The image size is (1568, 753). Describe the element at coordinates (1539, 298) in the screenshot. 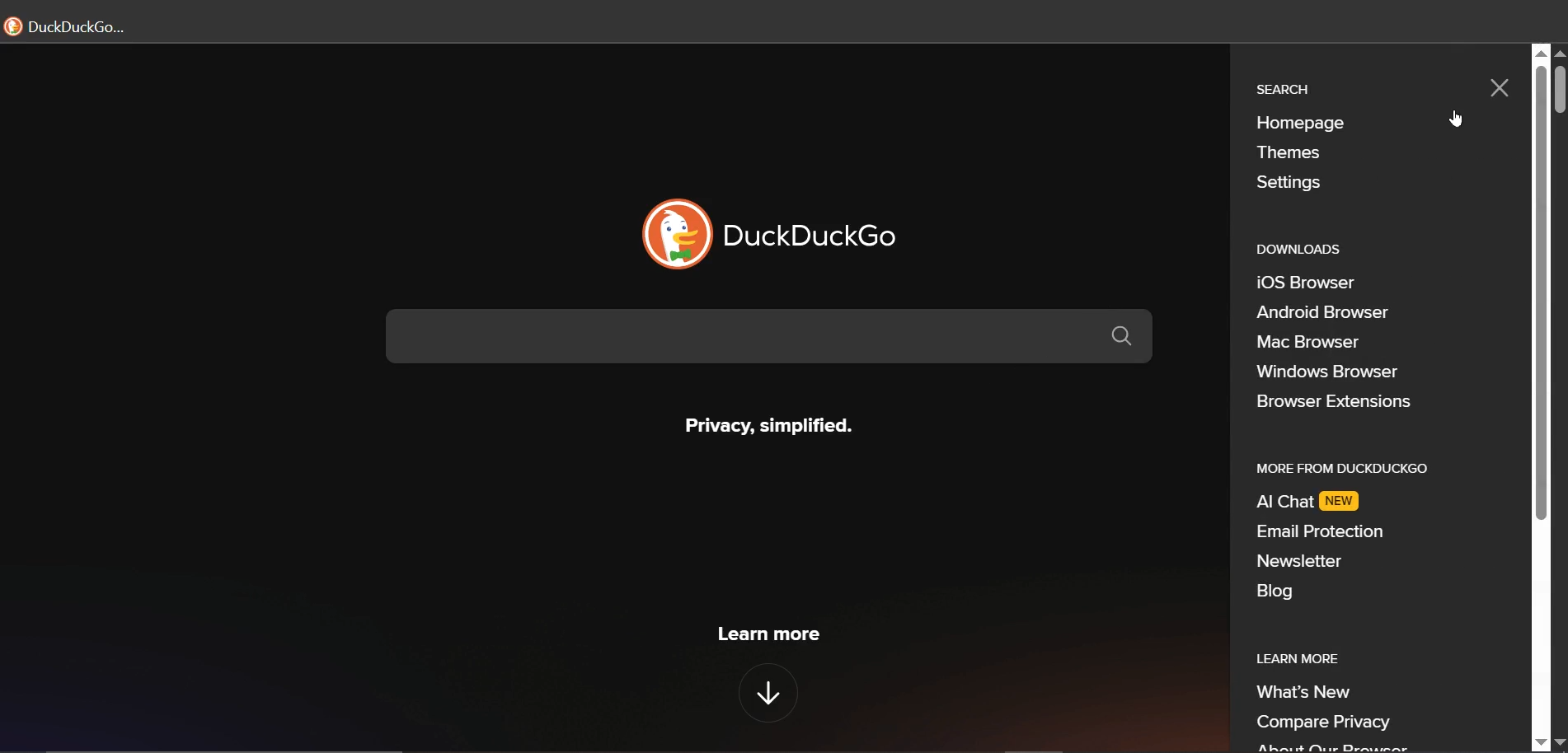

I see `scroll bar` at that location.